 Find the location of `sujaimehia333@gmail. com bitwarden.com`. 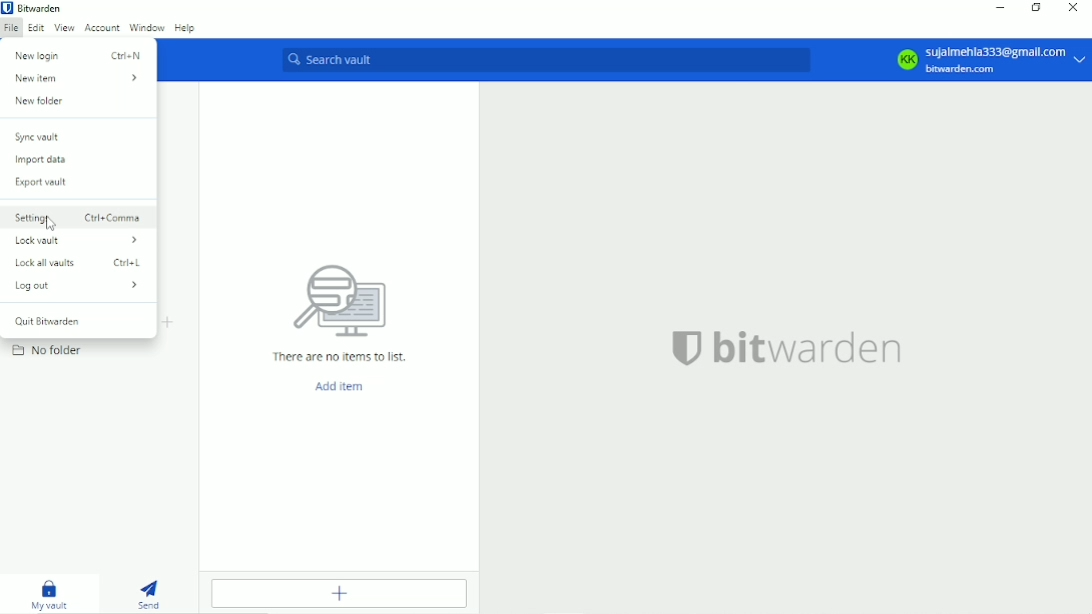

sujaimehia333@gmail. com bitwarden.com is located at coordinates (1005, 59).